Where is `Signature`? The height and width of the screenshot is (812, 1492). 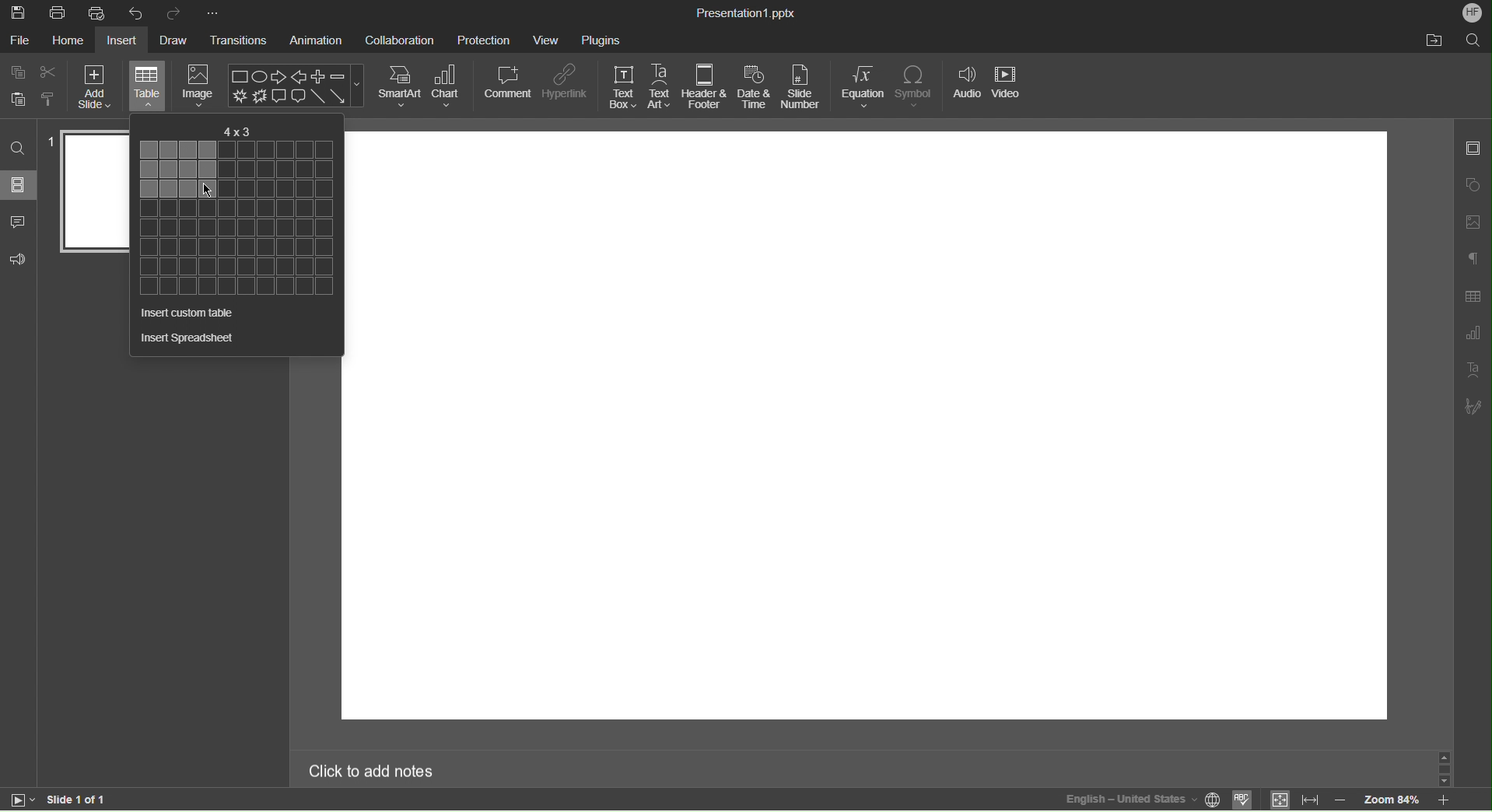
Signature is located at coordinates (1473, 405).